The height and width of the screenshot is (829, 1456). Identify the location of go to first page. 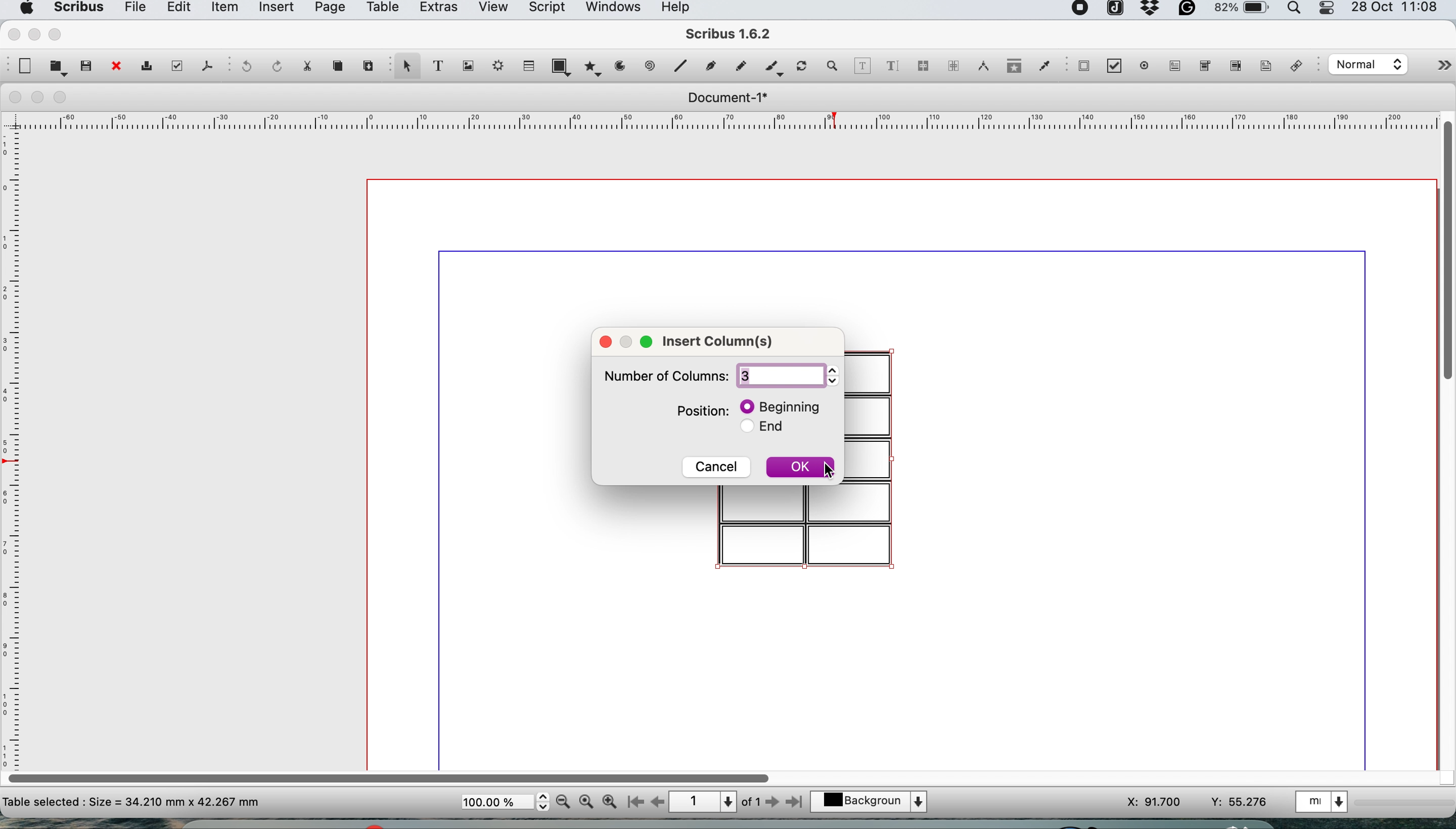
(634, 803).